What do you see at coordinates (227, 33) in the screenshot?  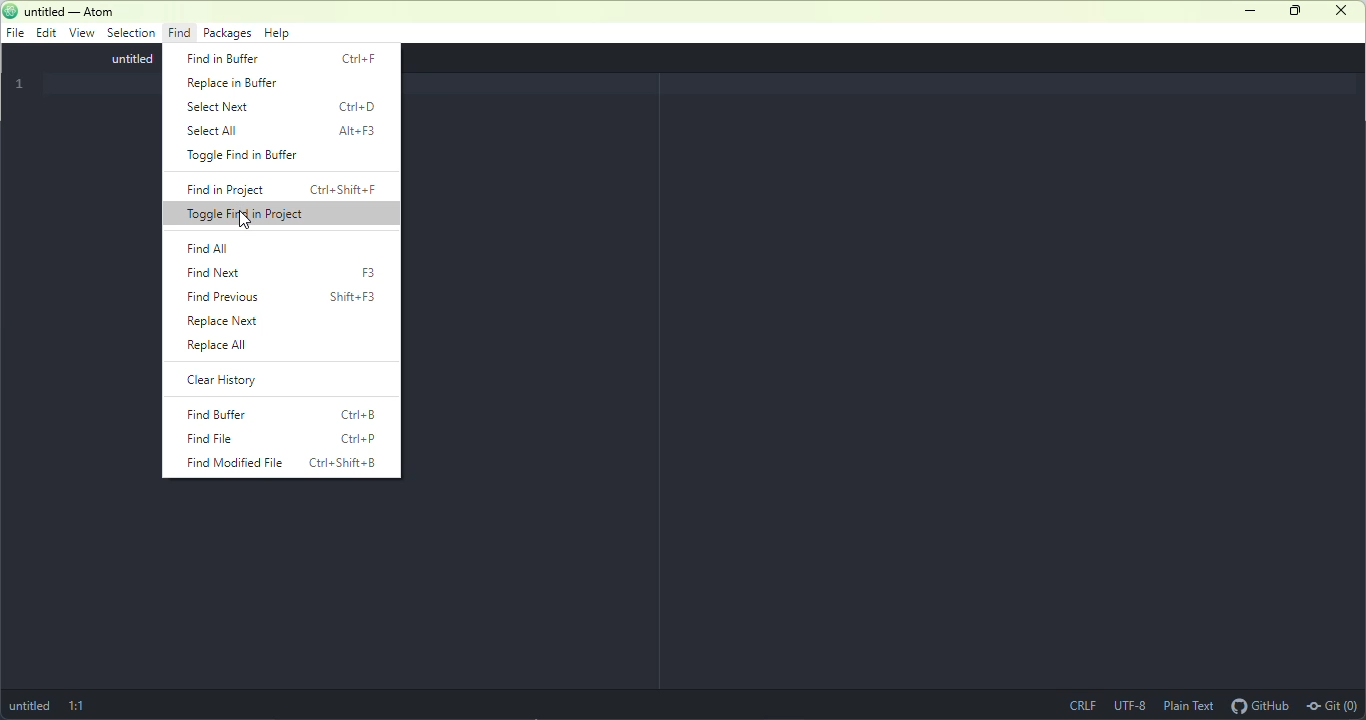 I see `packages` at bounding box center [227, 33].